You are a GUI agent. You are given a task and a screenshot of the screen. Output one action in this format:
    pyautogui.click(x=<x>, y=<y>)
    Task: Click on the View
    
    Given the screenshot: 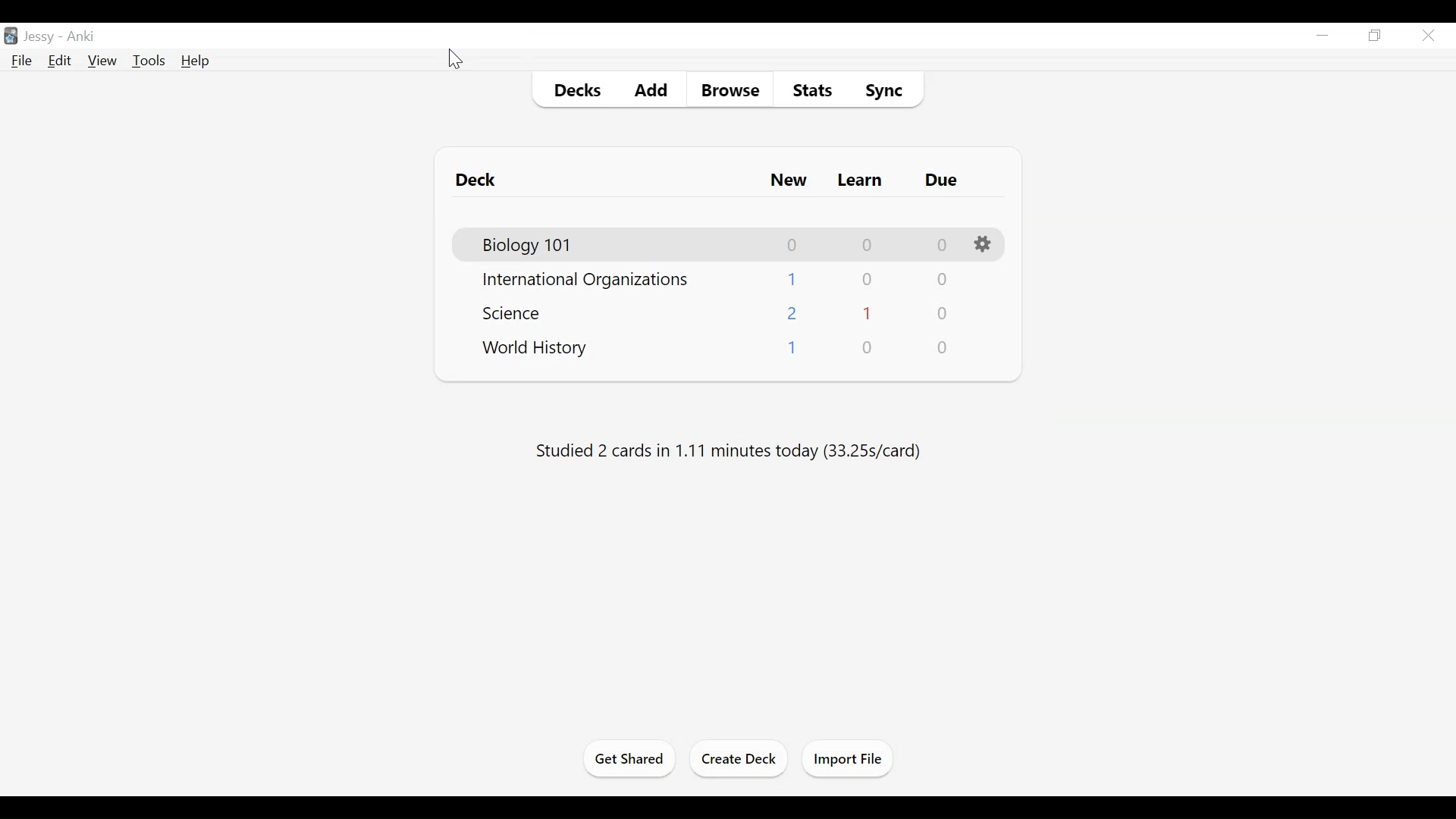 What is the action you would take?
    pyautogui.click(x=102, y=60)
    